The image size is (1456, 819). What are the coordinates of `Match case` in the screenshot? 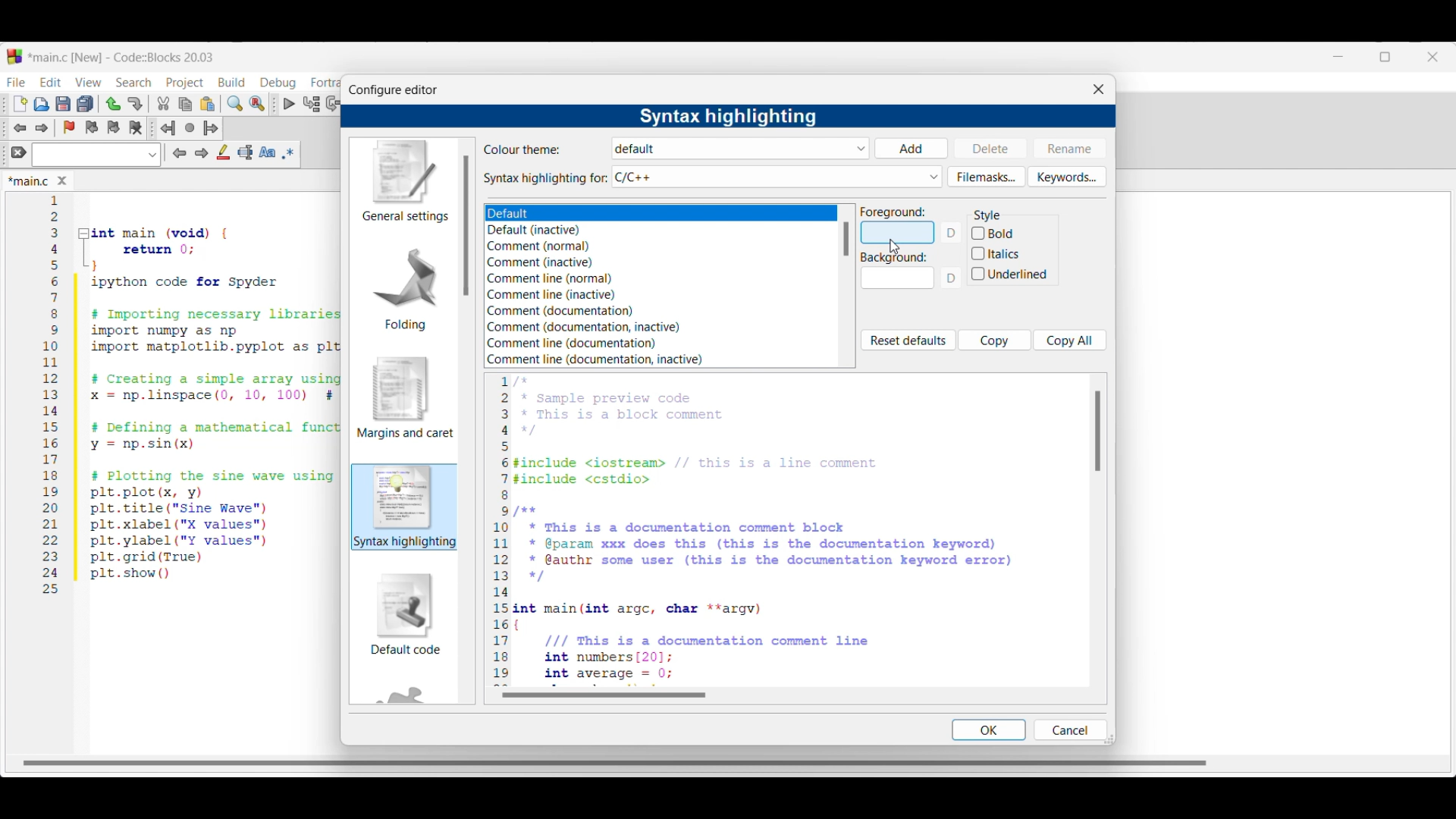 It's located at (267, 152).